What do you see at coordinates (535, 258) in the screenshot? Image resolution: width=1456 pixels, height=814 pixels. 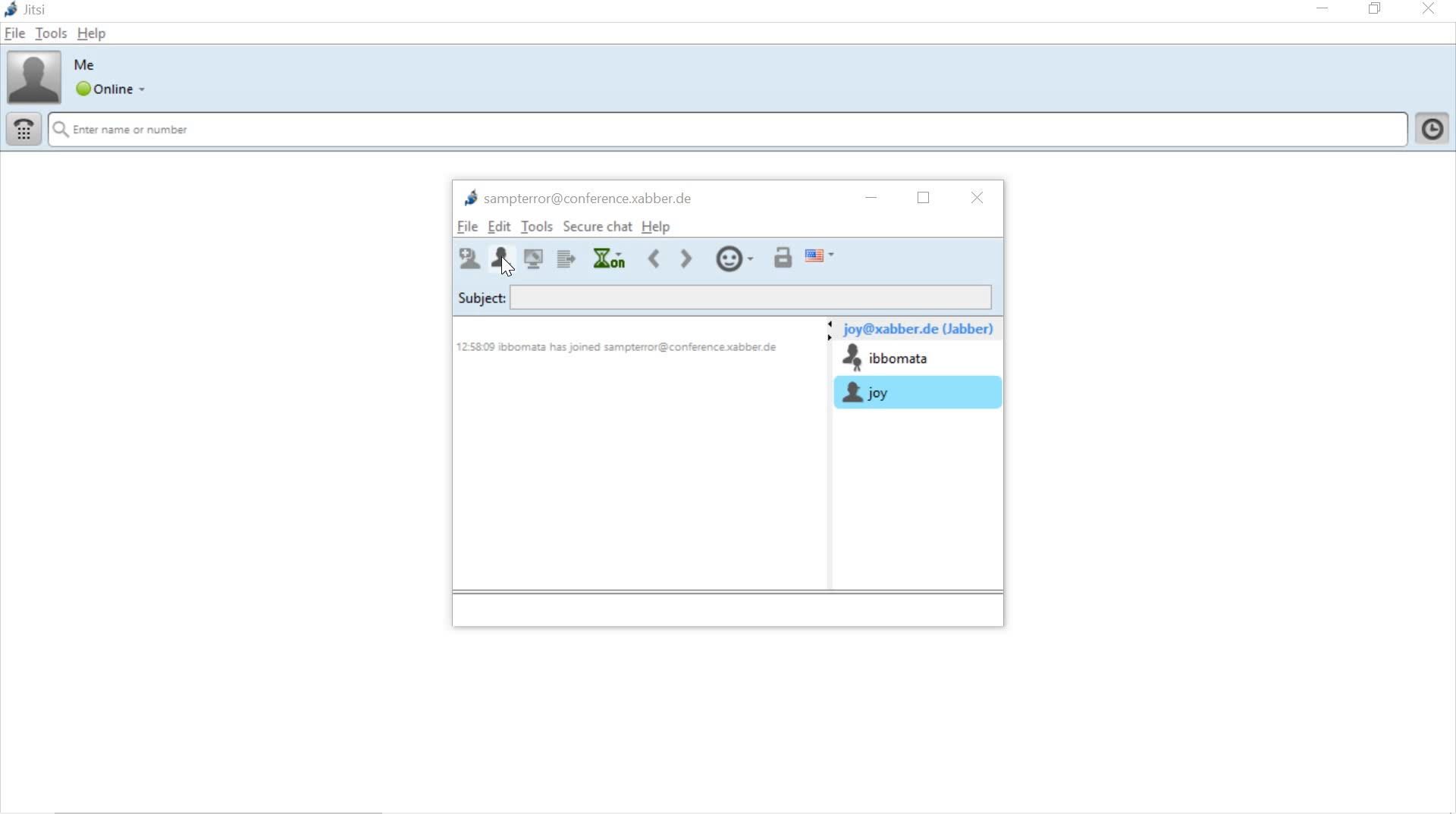 I see `share desk` at bounding box center [535, 258].